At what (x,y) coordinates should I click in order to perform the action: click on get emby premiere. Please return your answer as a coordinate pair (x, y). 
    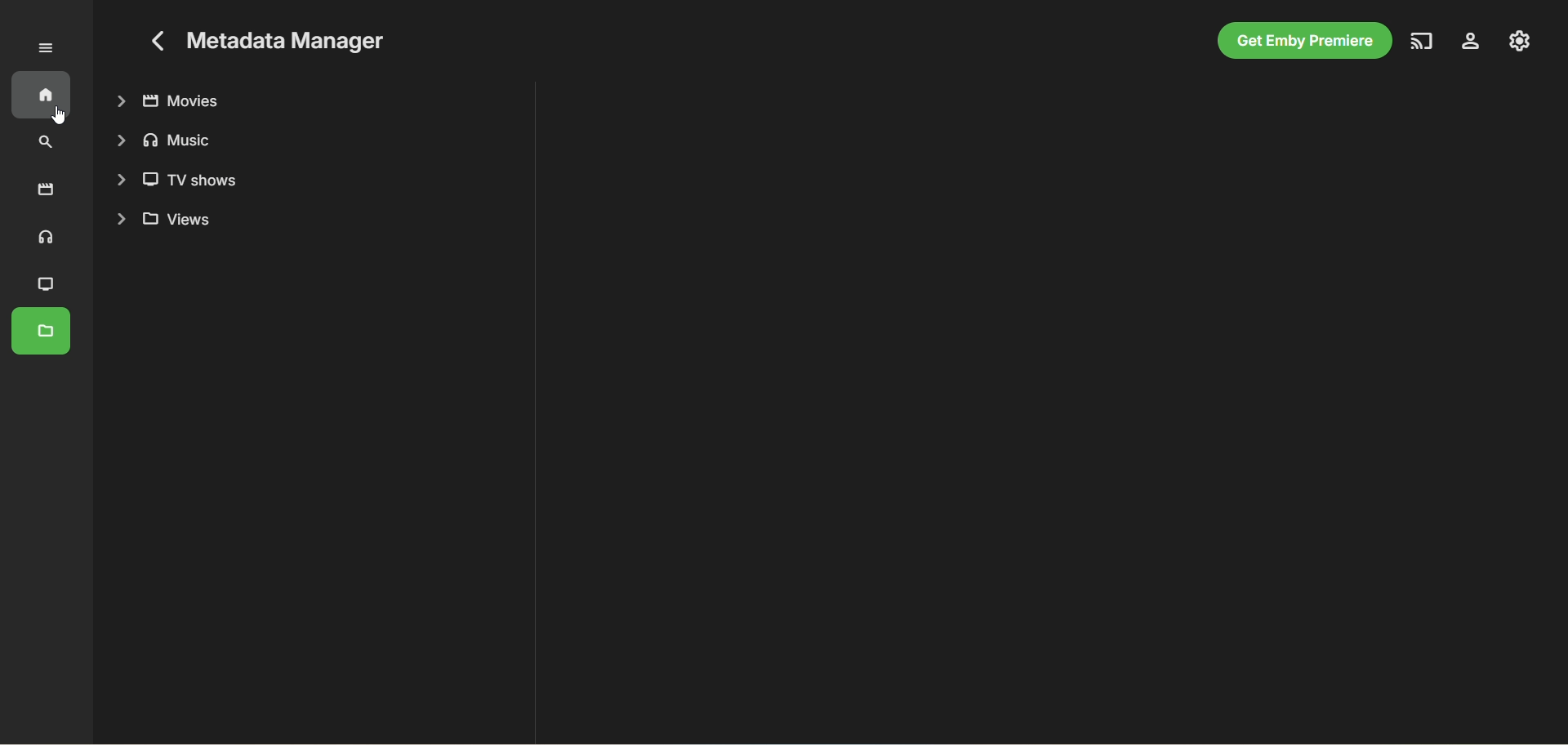
    Looking at the image, I should click on (1307, 41).